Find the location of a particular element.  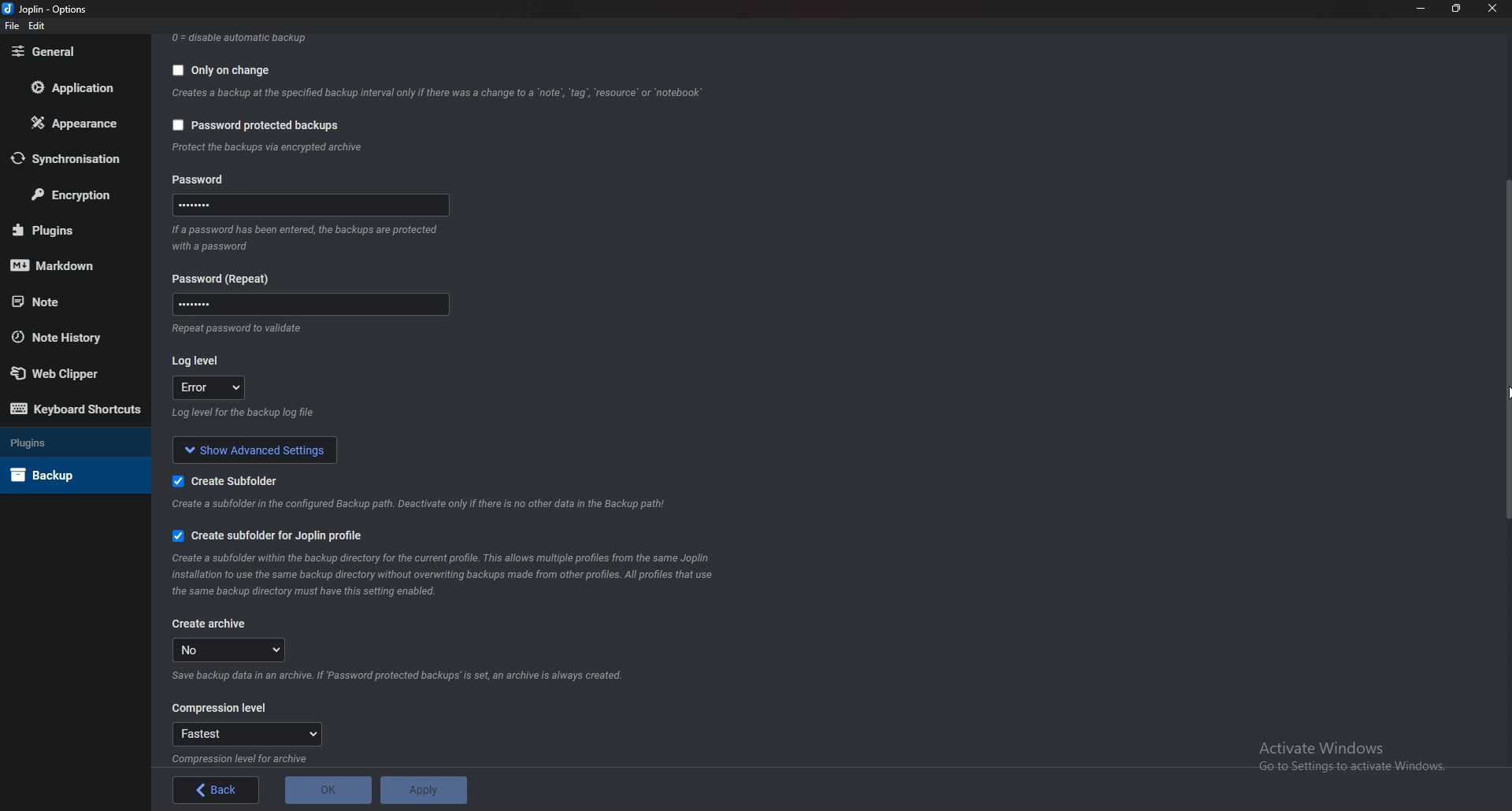

password is located at coordinates (202, 178).